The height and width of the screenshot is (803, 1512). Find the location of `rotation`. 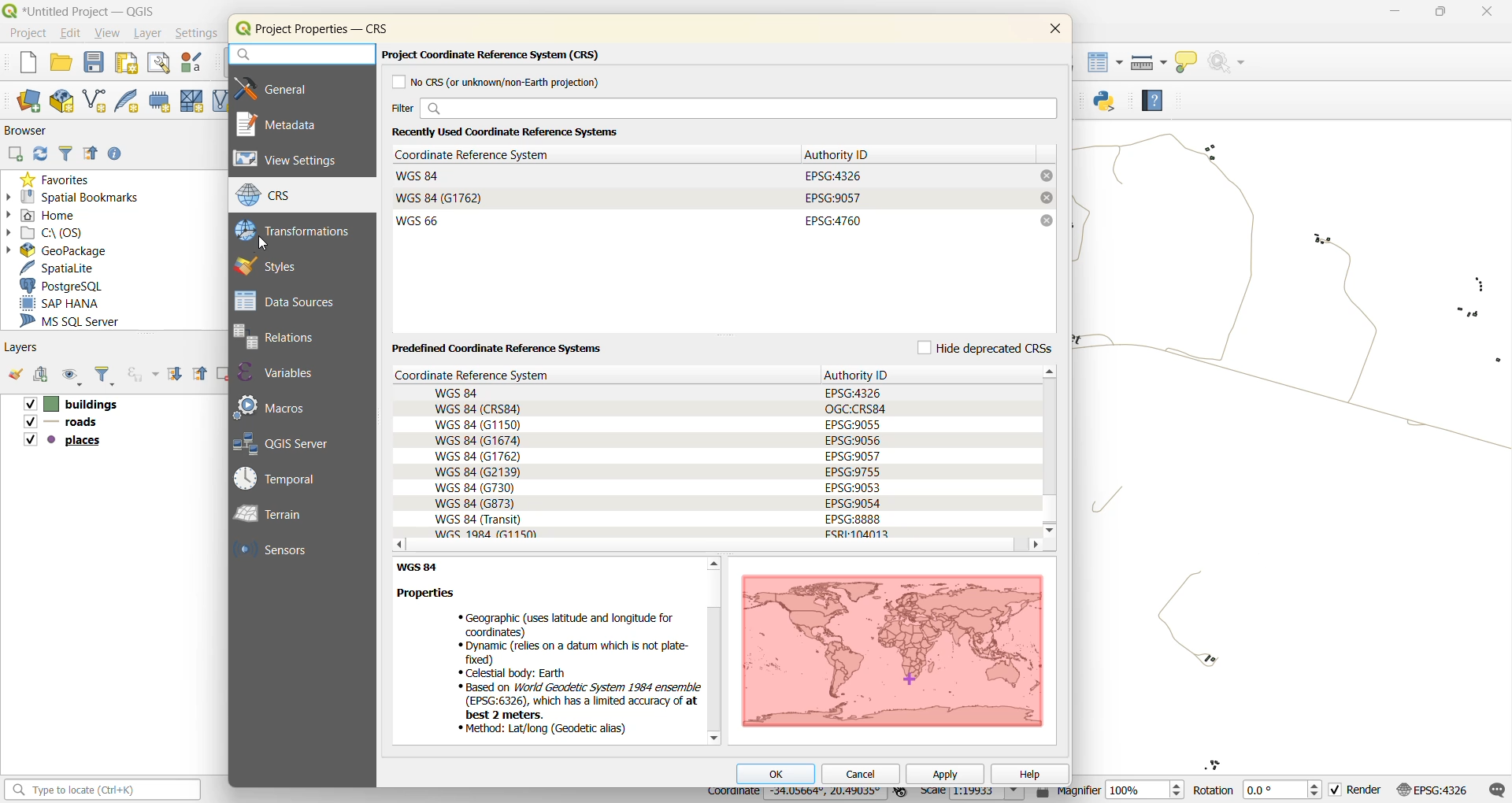

rotation is located at coordinates (1258, 790).